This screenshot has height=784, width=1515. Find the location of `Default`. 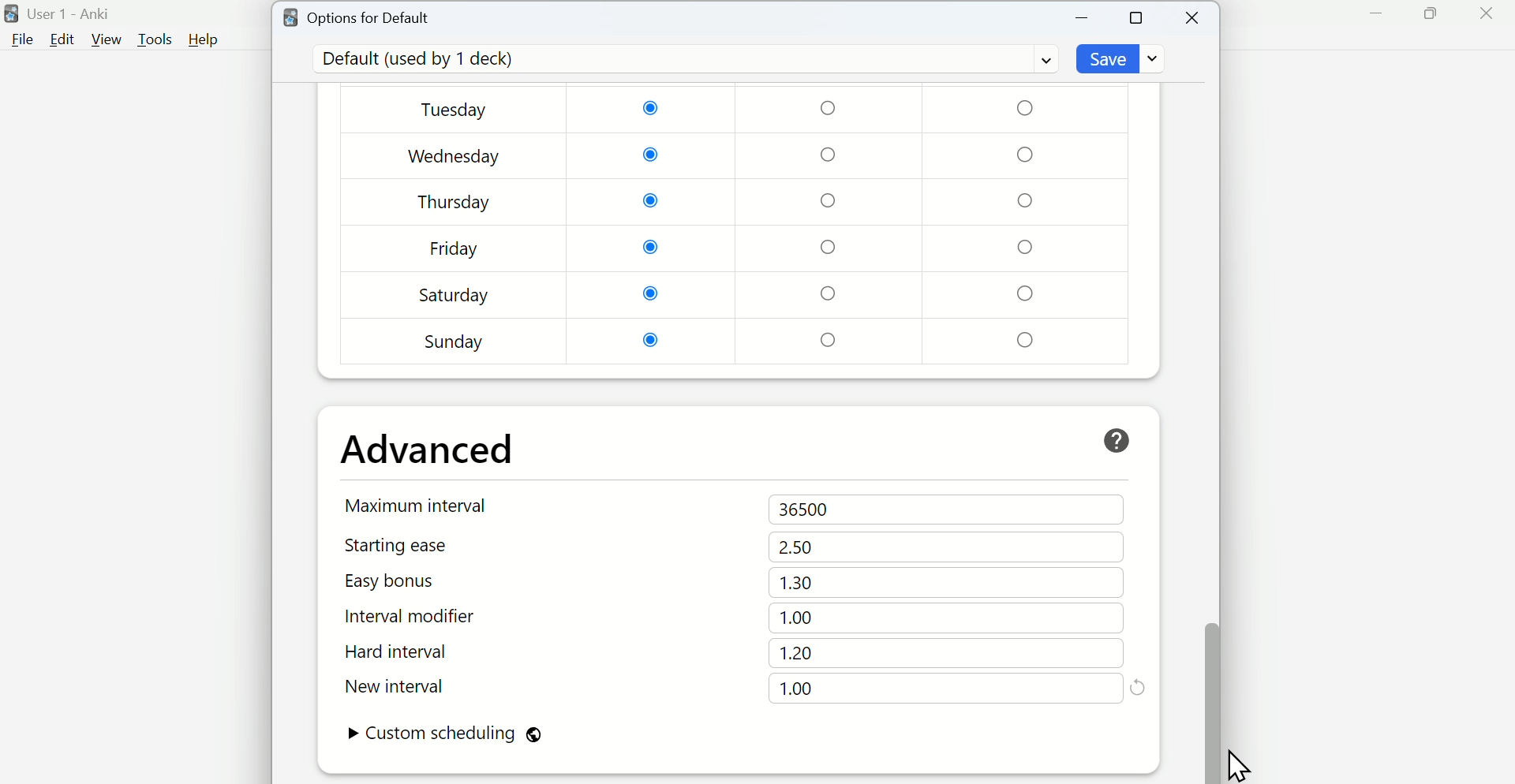

Default is located at coordinates (683, 59).